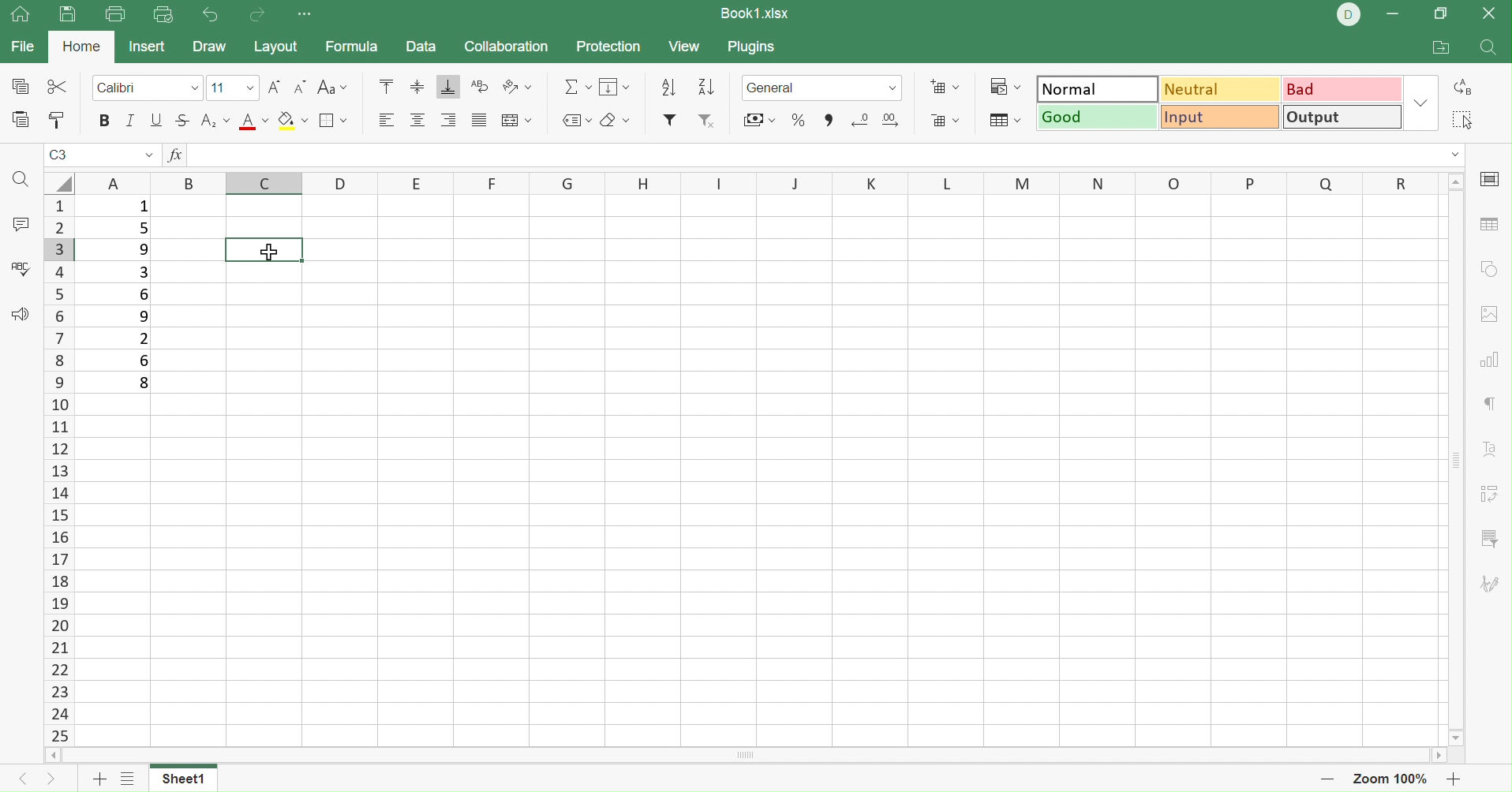  I want to click on Clear, so click(615, 119).